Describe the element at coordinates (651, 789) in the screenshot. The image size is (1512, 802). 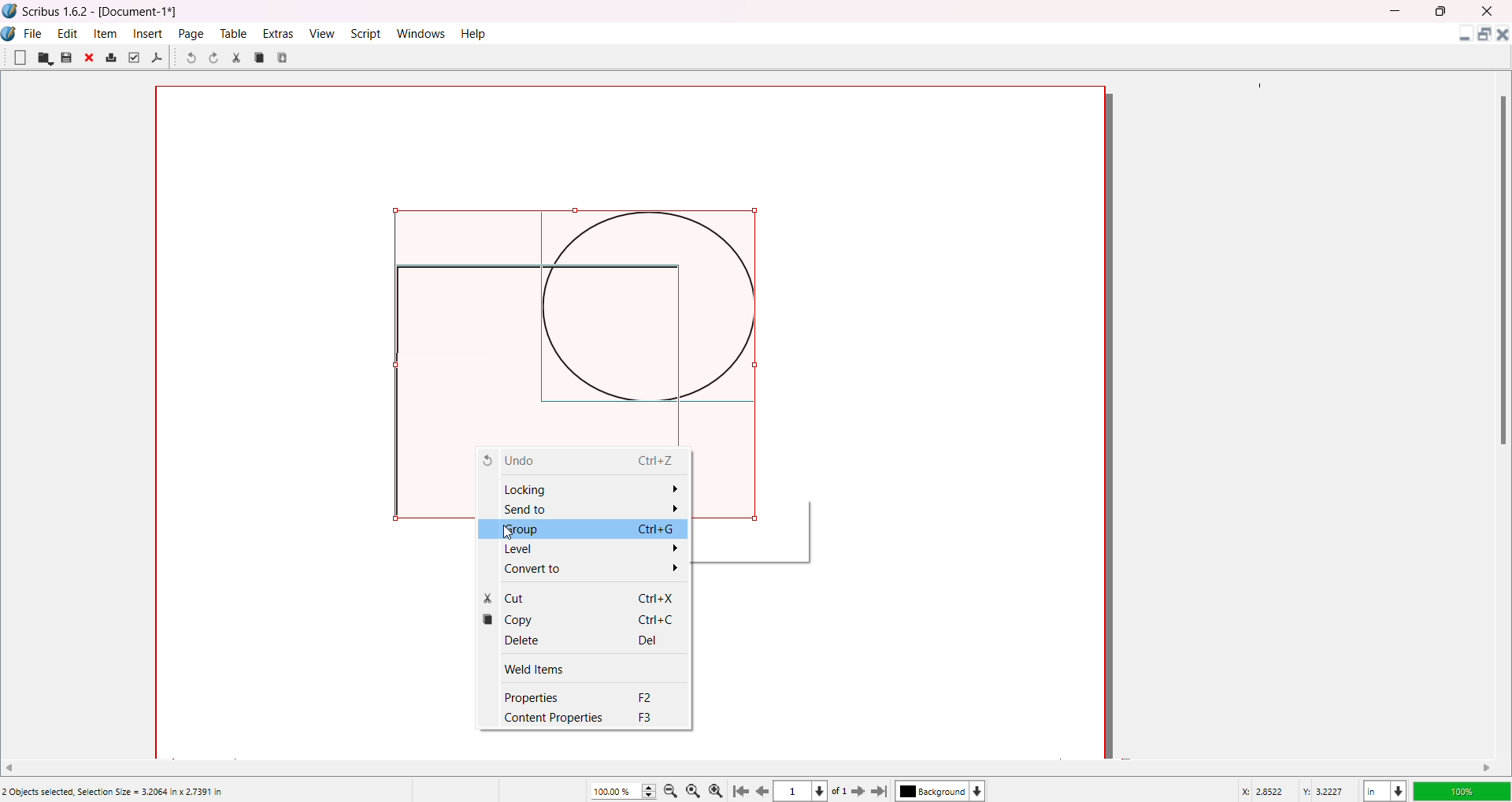
I see `Zoom Increase/Decrease` at that location.